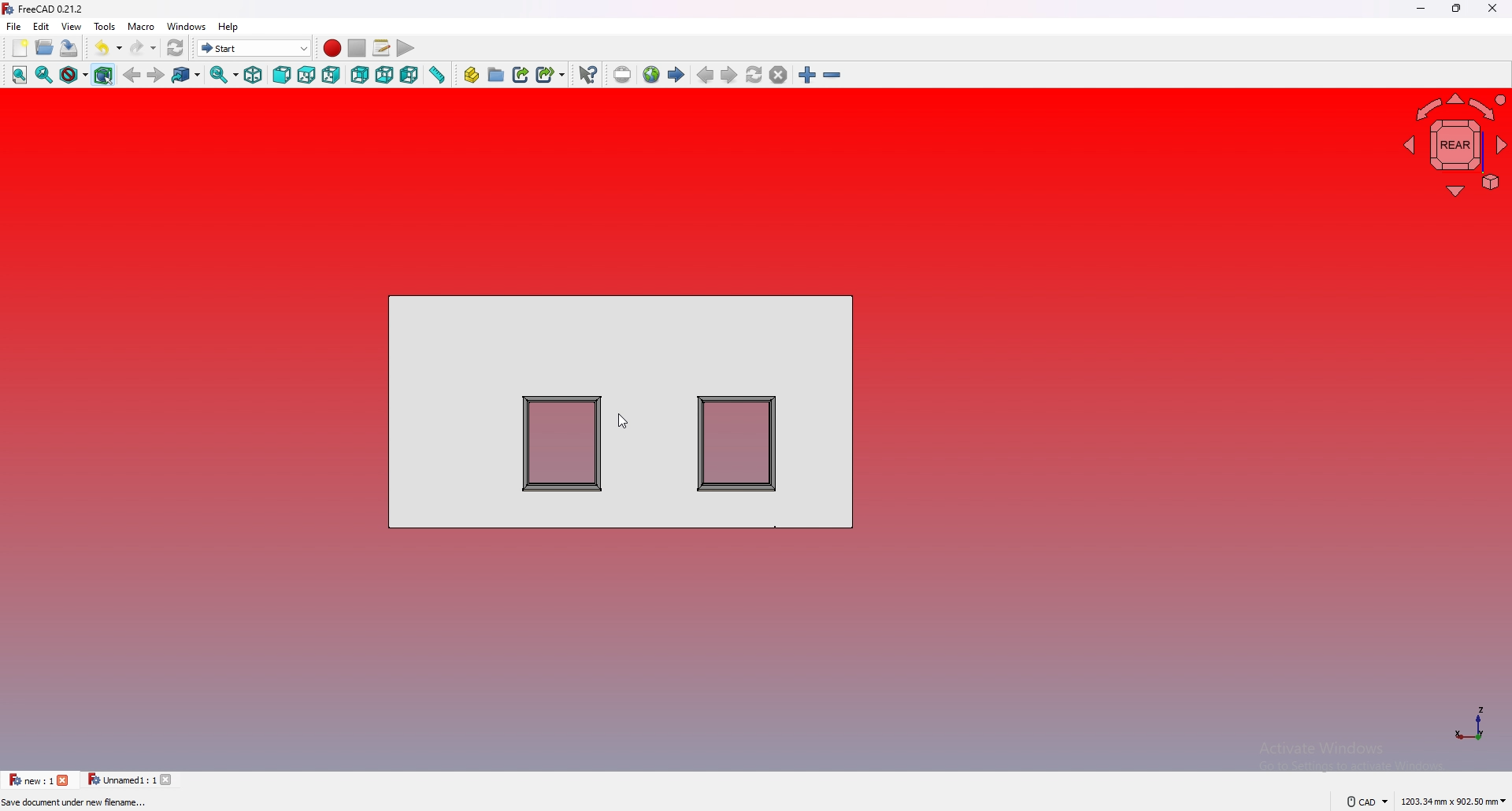  Describe the element at coordinates (1492, 9) in the screenshot. I see `close` at that location.